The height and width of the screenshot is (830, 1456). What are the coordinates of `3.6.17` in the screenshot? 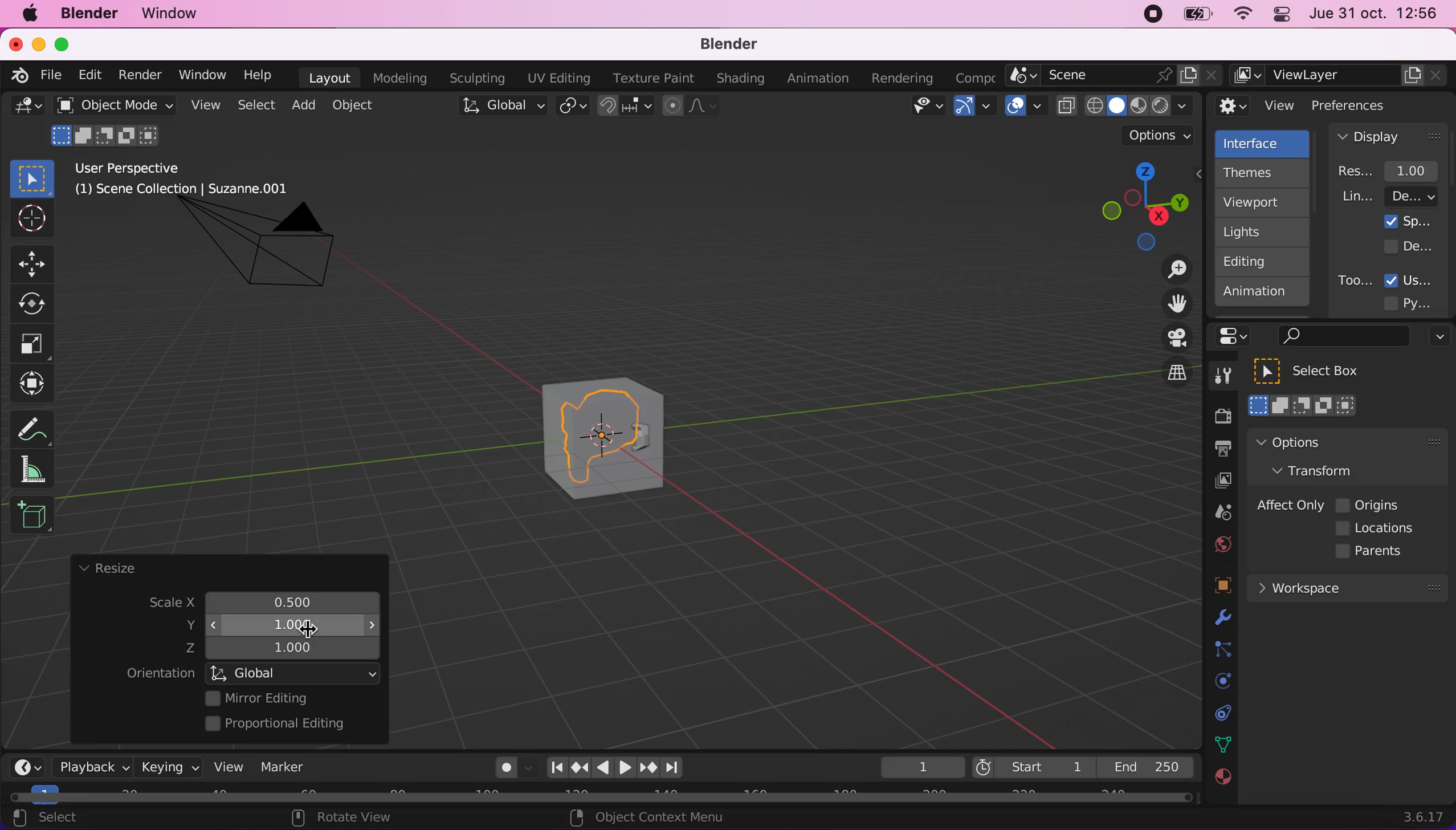 It's located at (1426, 817).